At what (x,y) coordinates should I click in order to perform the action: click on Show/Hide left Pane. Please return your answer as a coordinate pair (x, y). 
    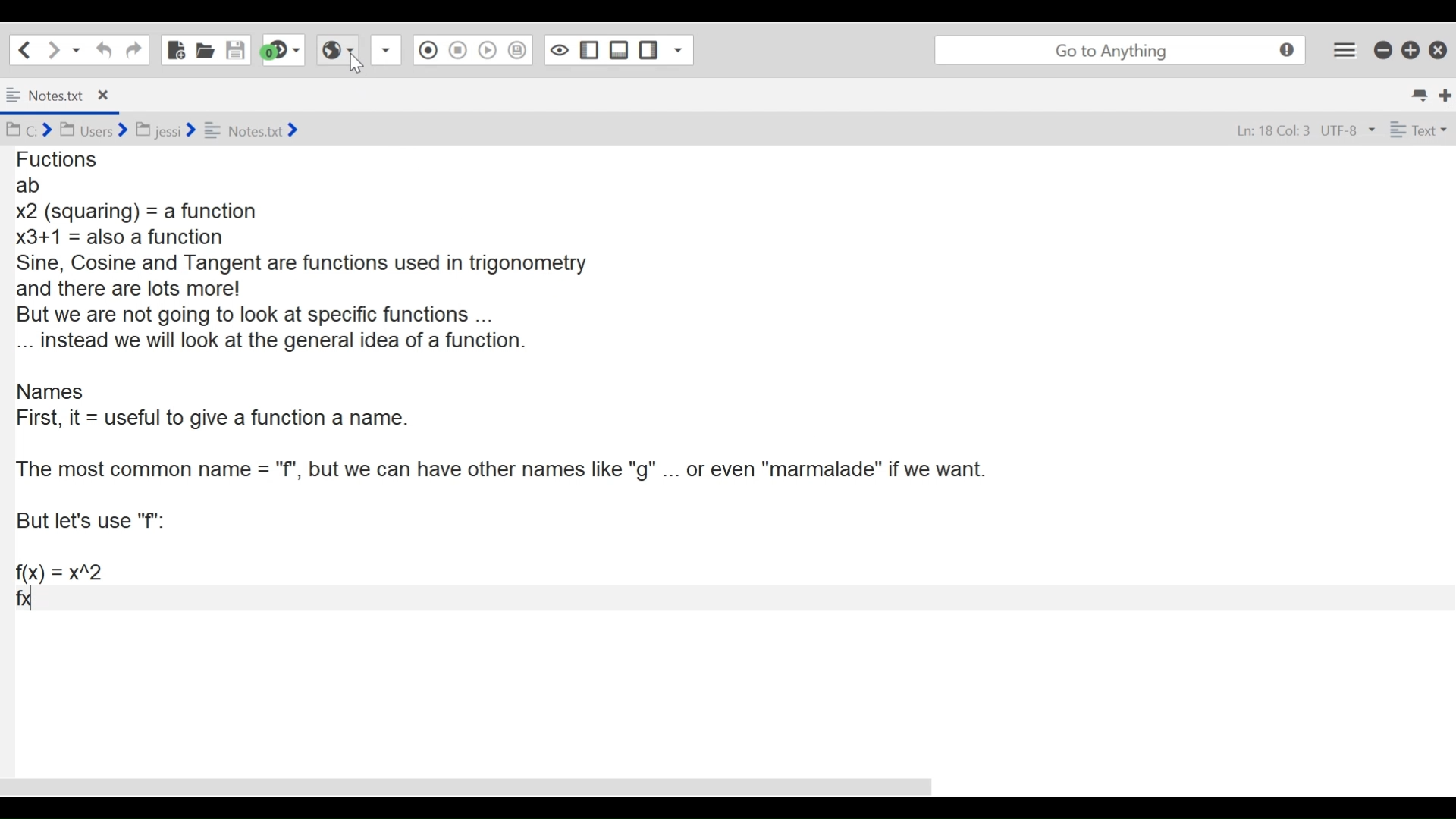
    Looking at the image, I should click on (588, 50).